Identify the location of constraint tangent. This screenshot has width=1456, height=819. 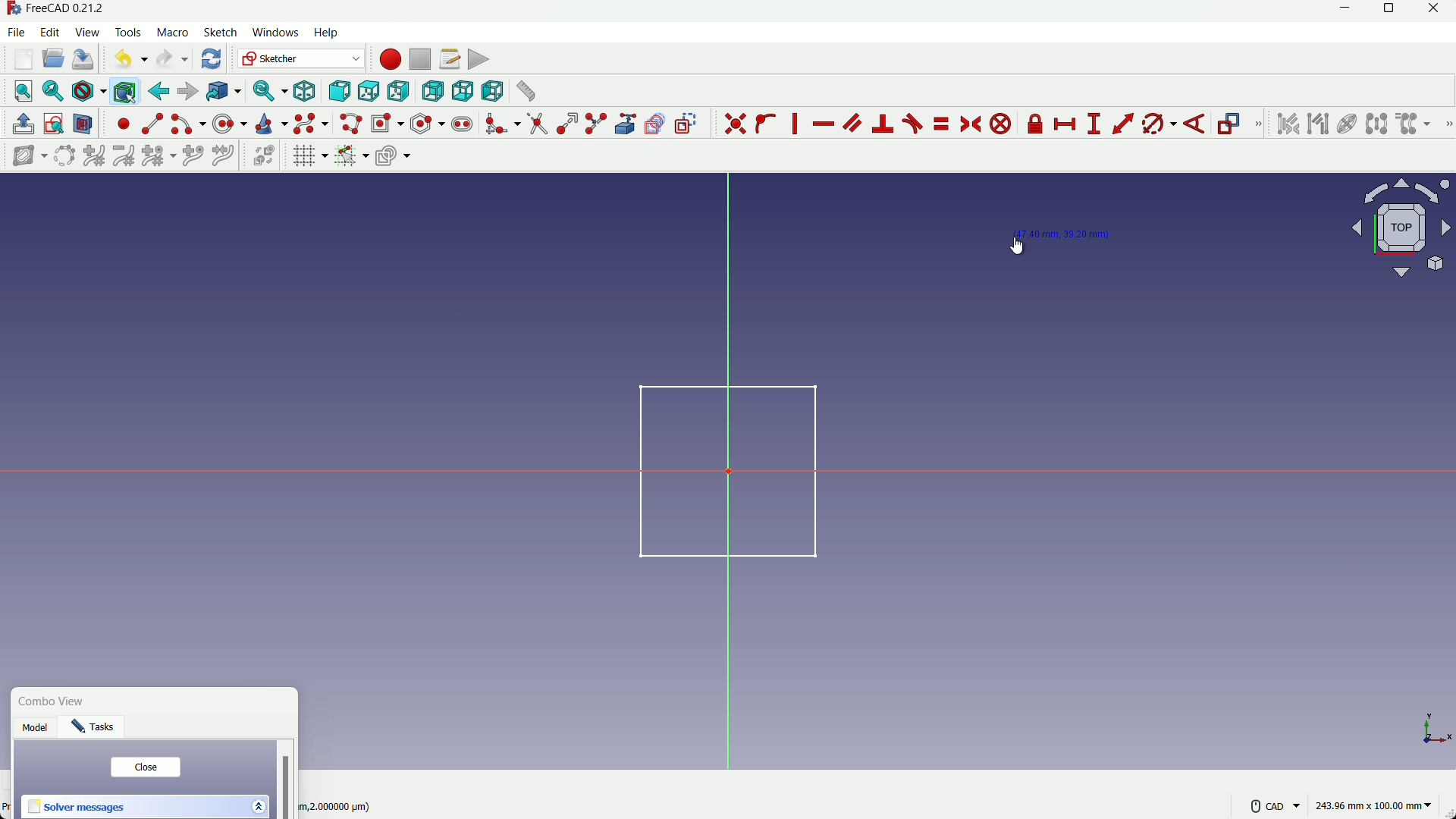
(913, 124).